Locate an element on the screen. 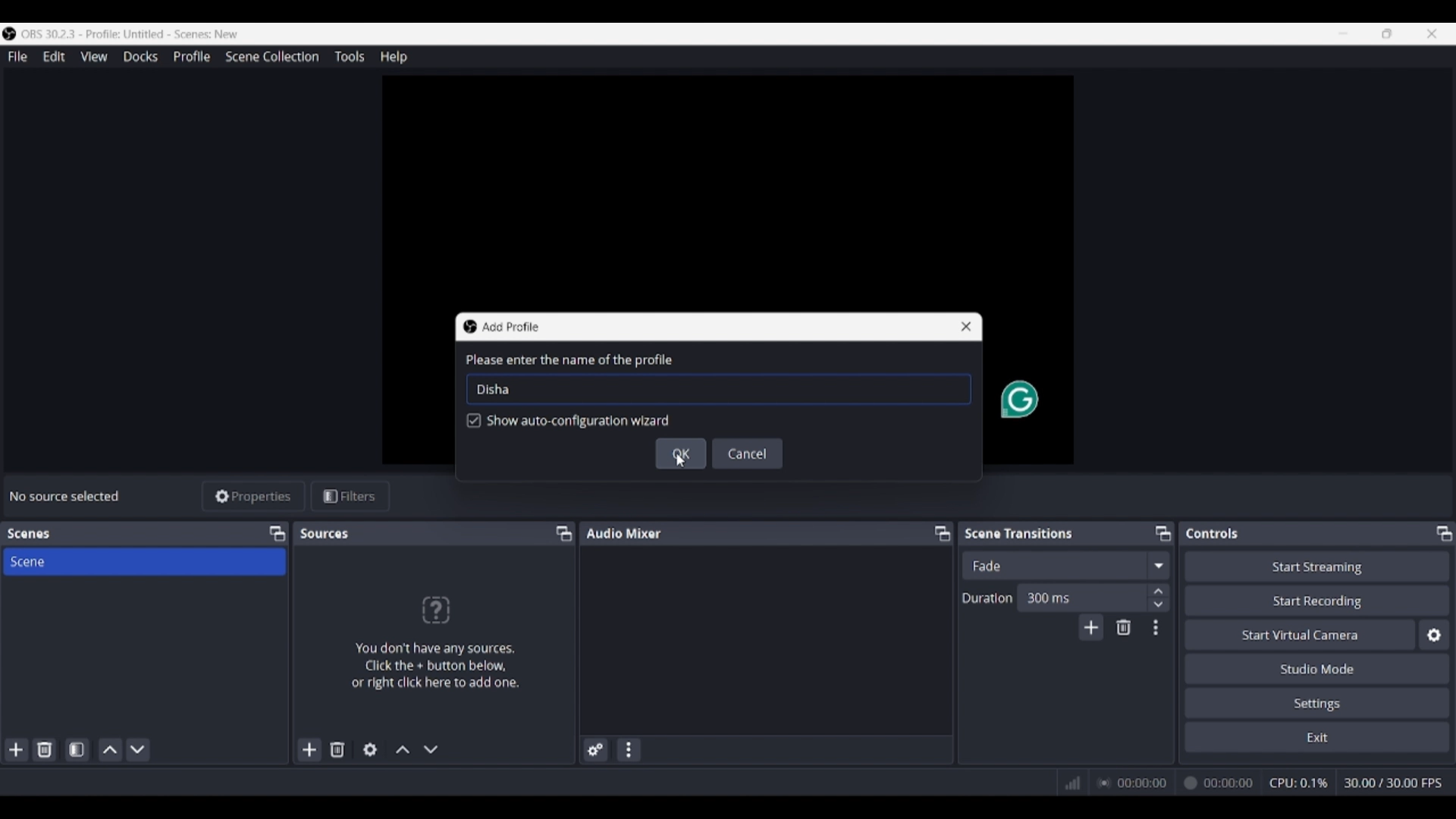 This screenshot has width=1456, height=819. Remove configurble transition is located at coordinates (1124, 627).